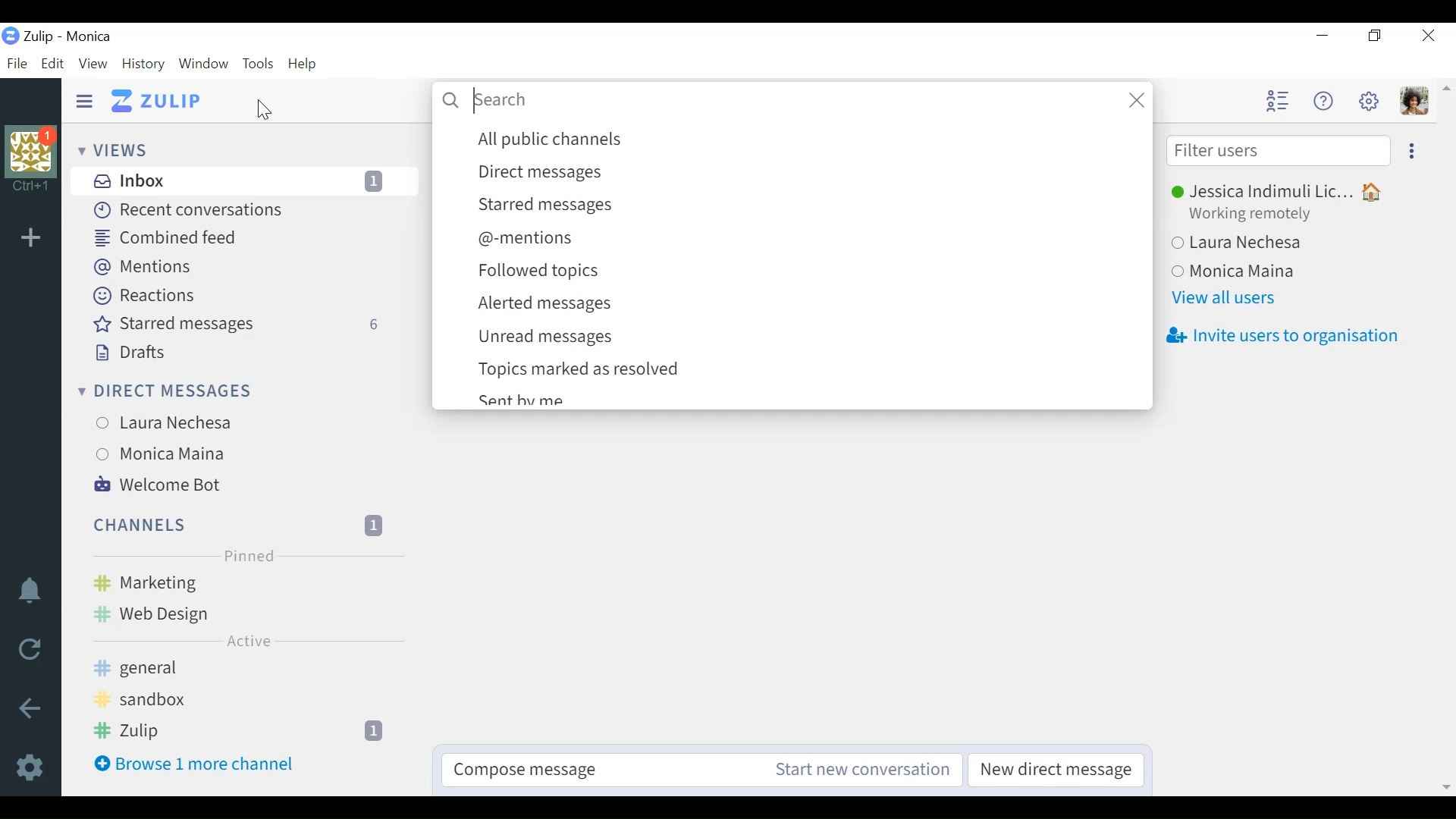  What do you see at coordinates (808, 370) in the screenshot?
I see `Topics marked as resolved` at bounding box center [808, 370].